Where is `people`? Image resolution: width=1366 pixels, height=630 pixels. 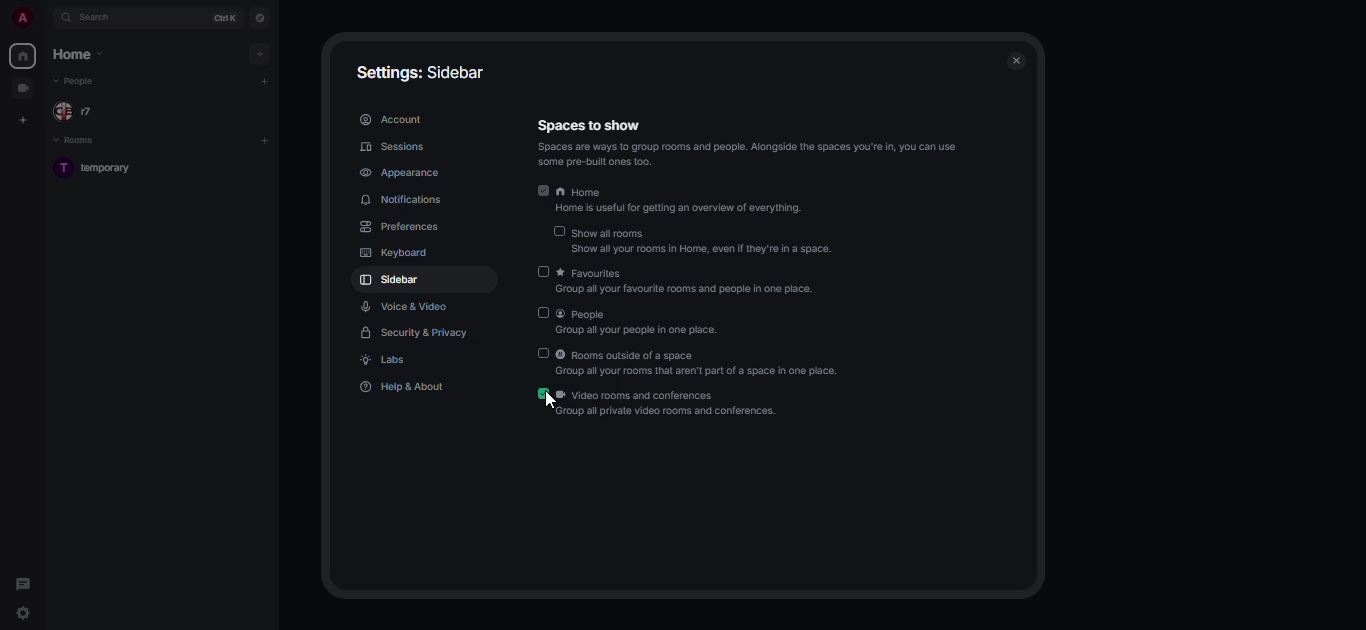 people is located at coordinates (78, 84).